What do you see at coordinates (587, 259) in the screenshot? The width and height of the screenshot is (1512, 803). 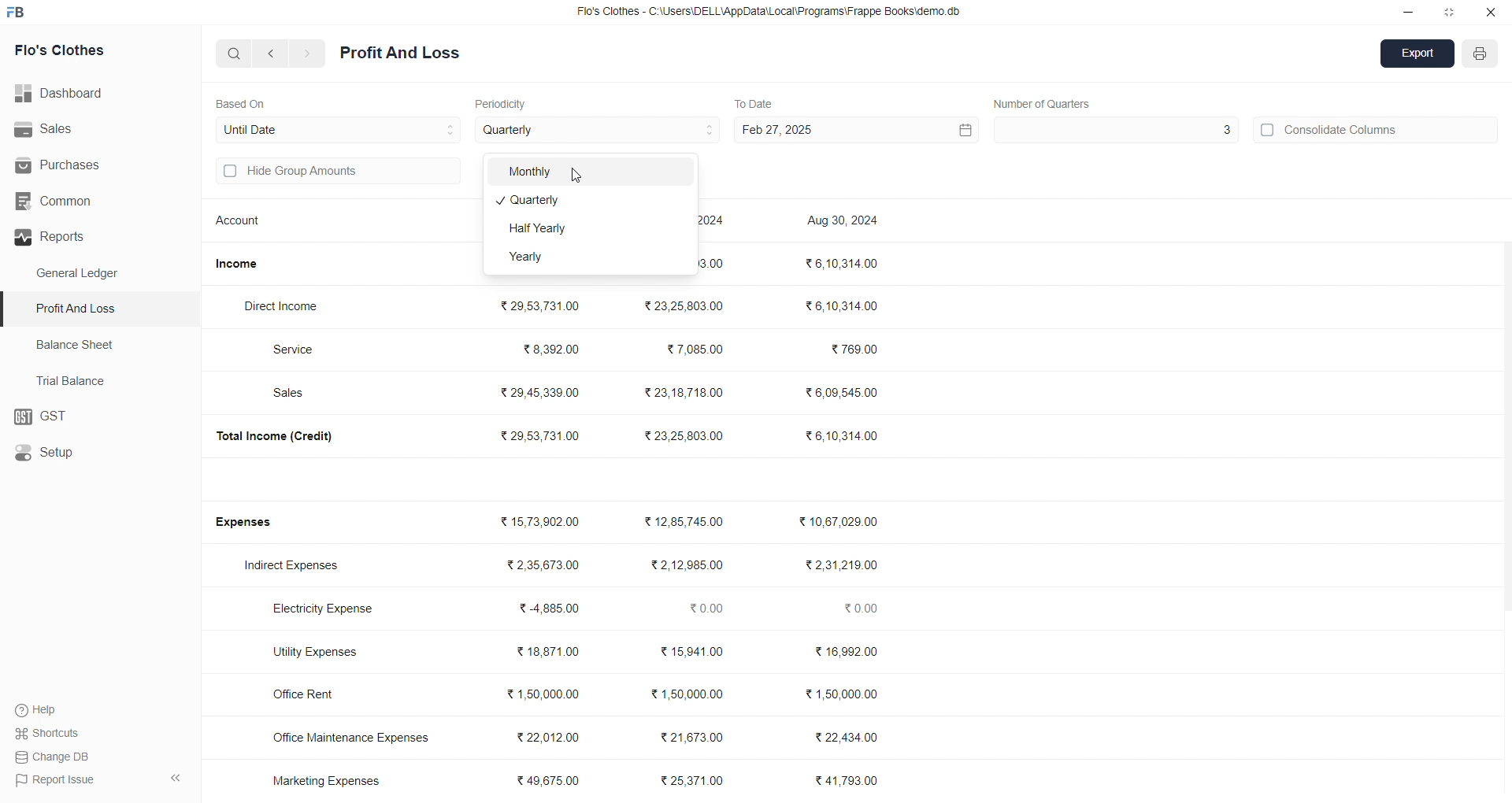 I see `yearly` at bounding box center [587, 259].